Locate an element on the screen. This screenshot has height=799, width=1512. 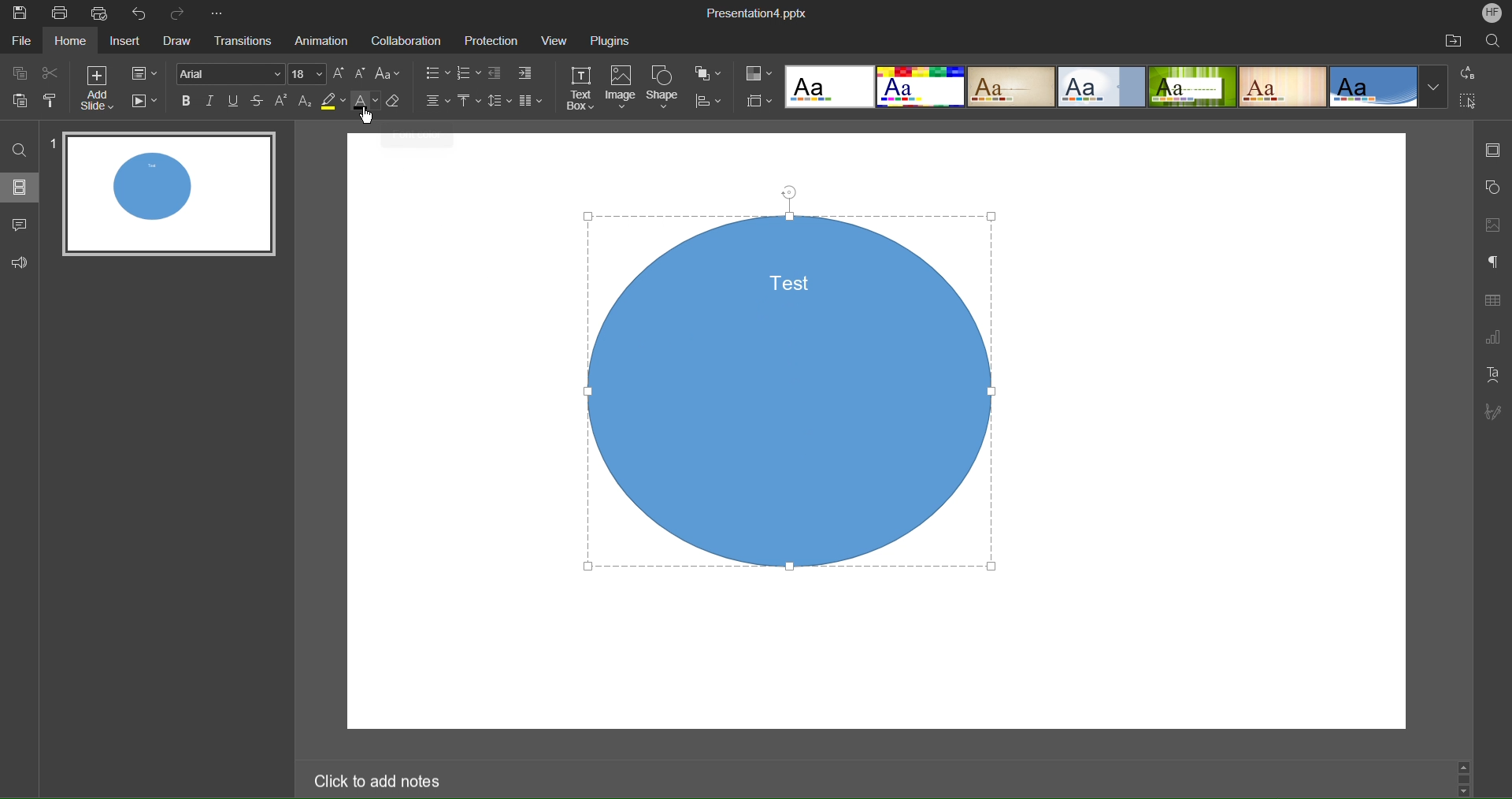
View is located at coordinates (557, 41).